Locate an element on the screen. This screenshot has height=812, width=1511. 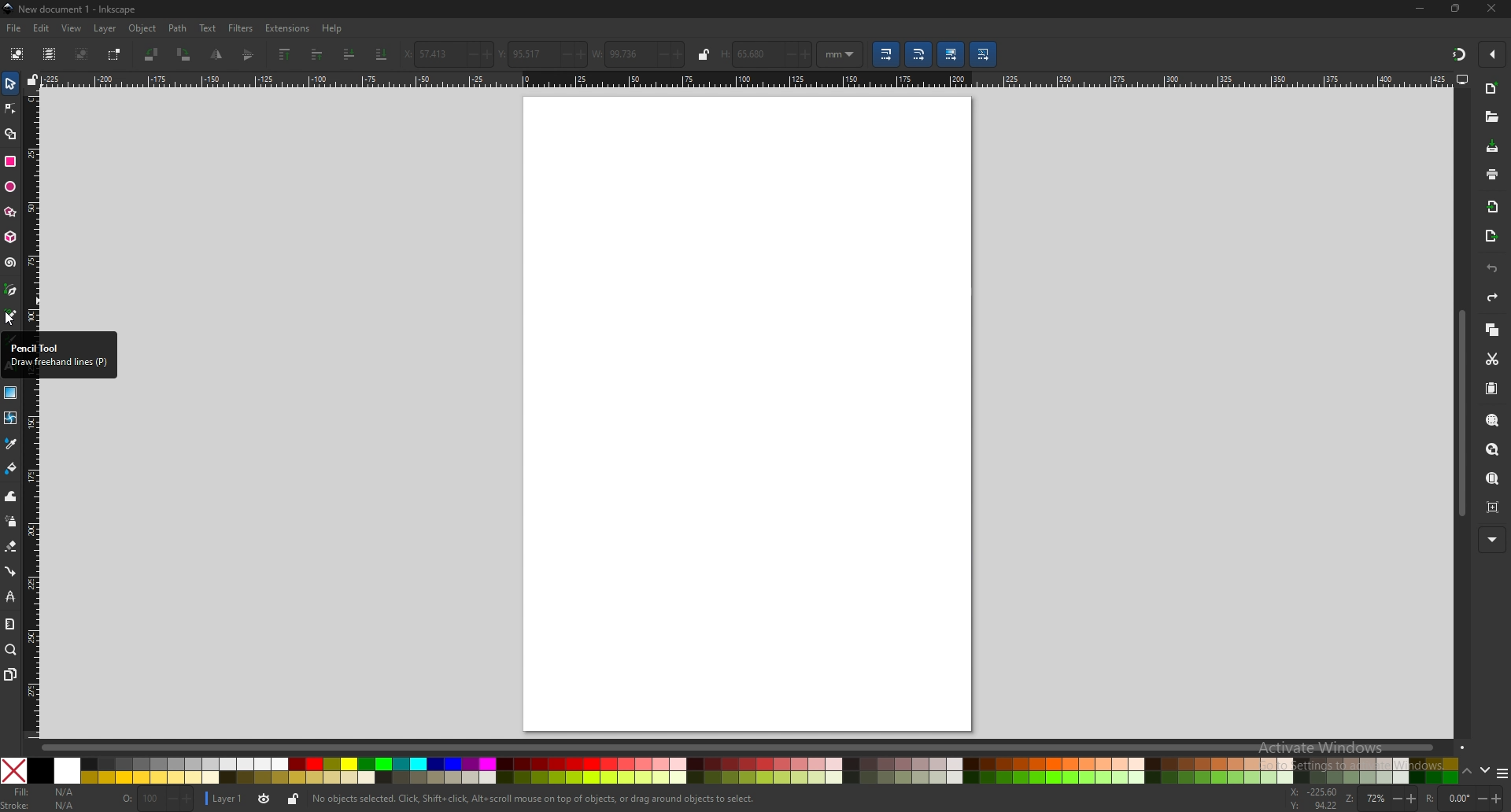
import is located at coordinates (1493, 206).